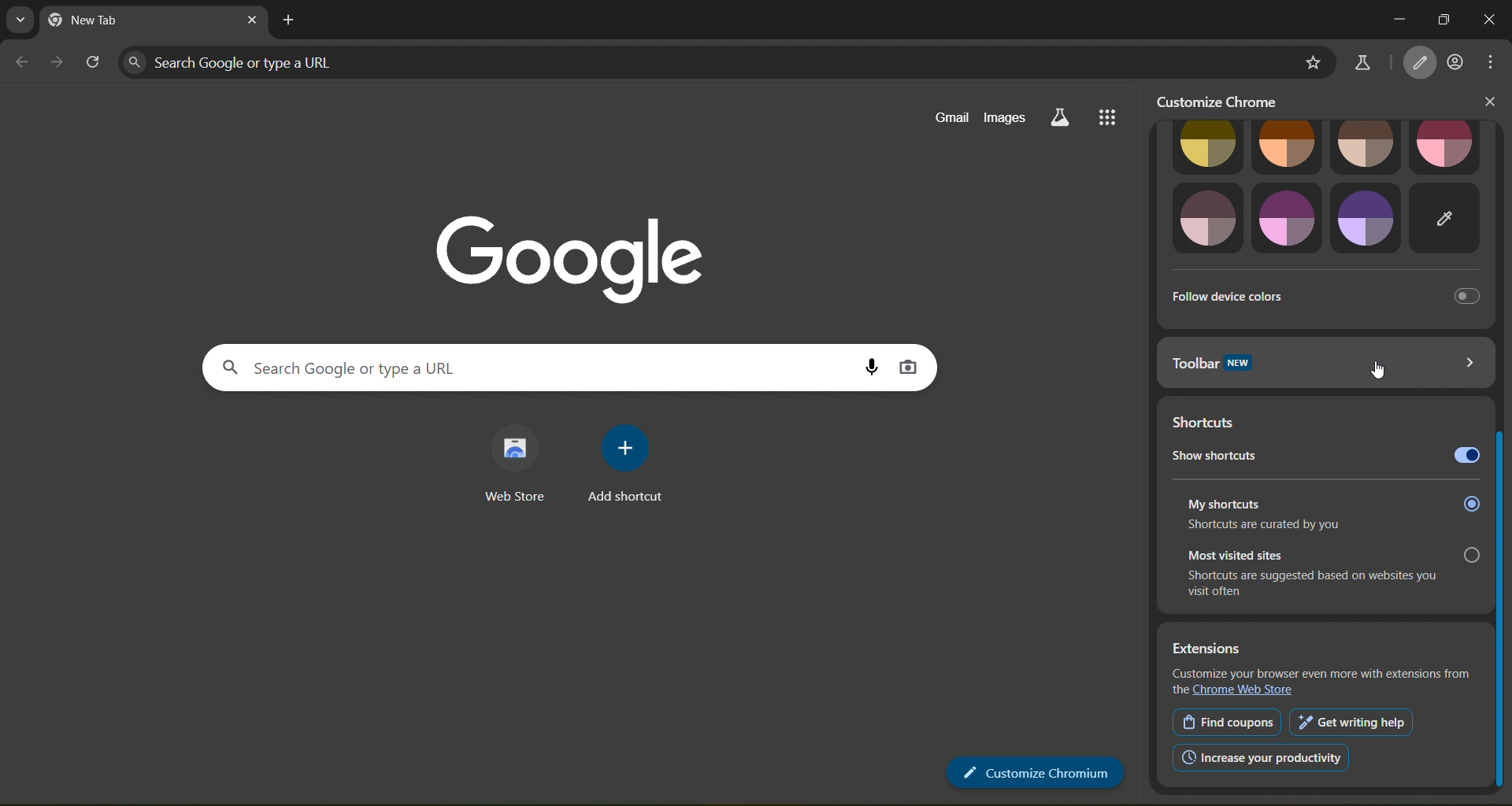 Image resolution: width=1512 pixels, height=806 pixels. Describe the element at coordinates (60, 63) in the screenshot. I see `go forward one page` at that location.